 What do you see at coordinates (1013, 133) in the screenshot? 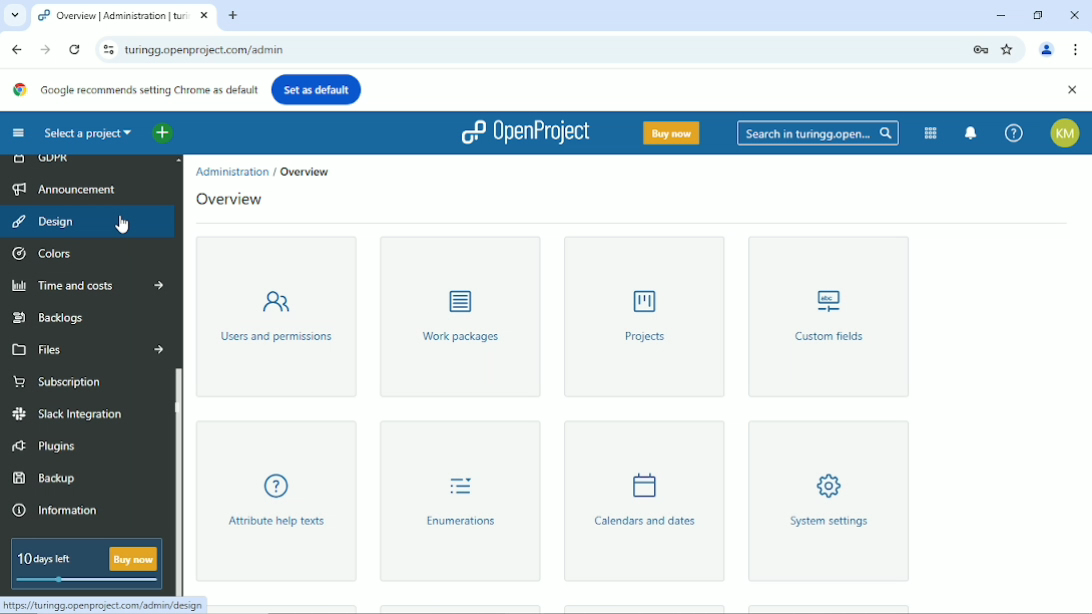
I see `Help` at bounding box center [1013, 133].